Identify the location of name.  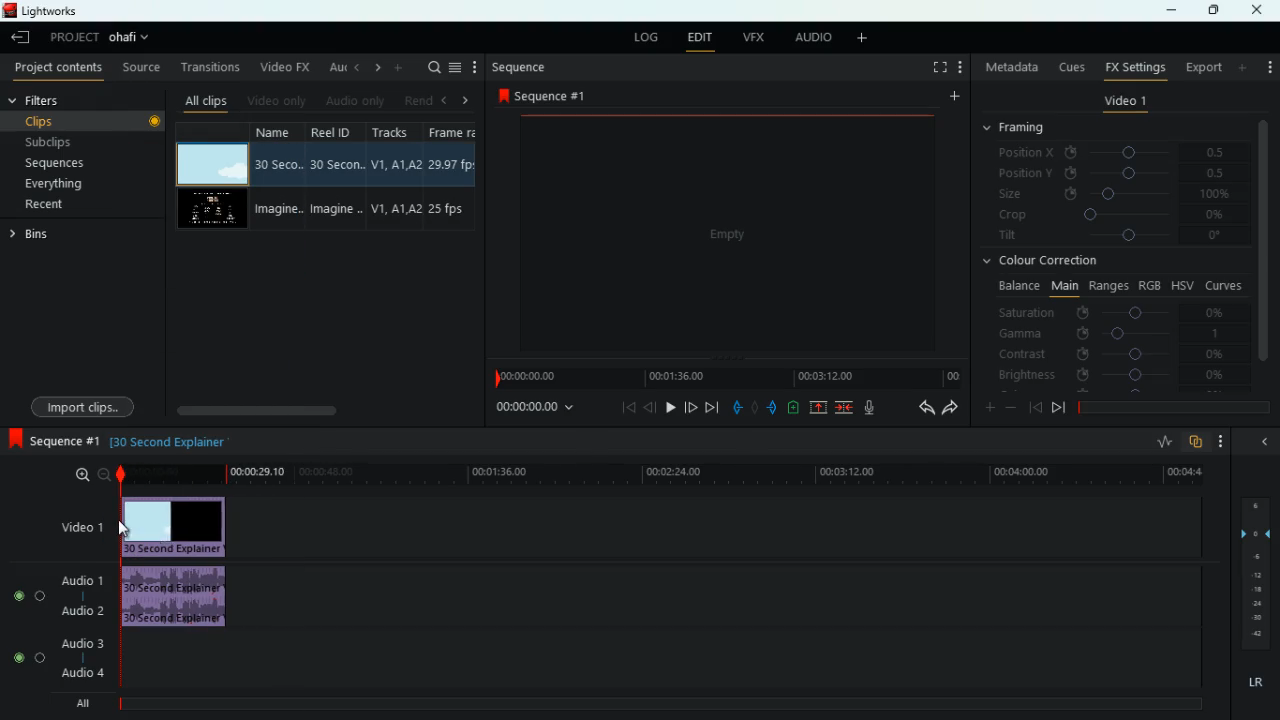
(276, 177).